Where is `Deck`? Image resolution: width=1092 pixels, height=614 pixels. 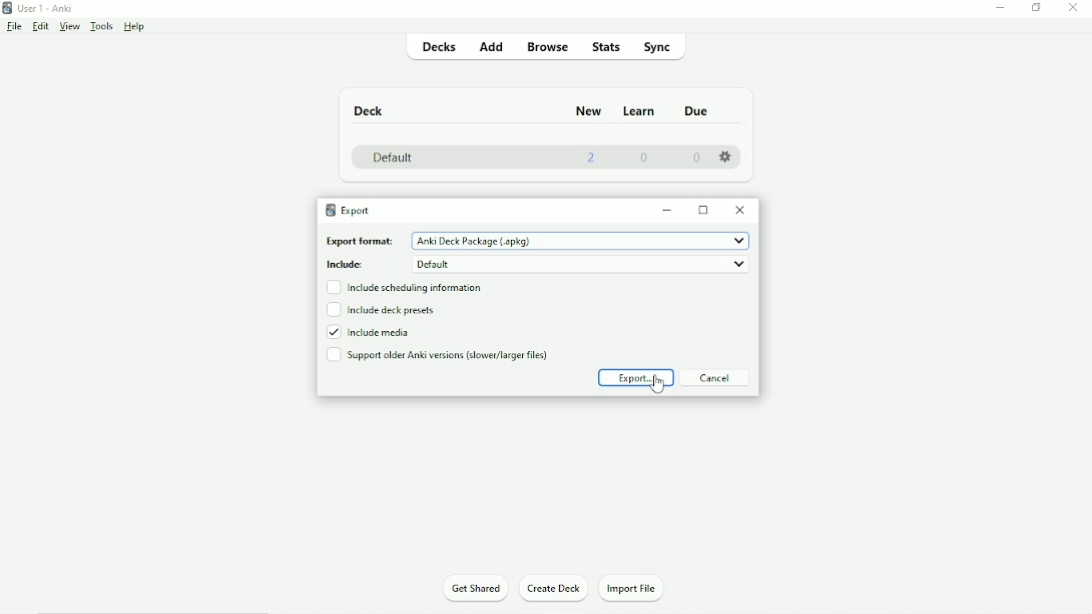
Deck is located at coordinates (370, 111).